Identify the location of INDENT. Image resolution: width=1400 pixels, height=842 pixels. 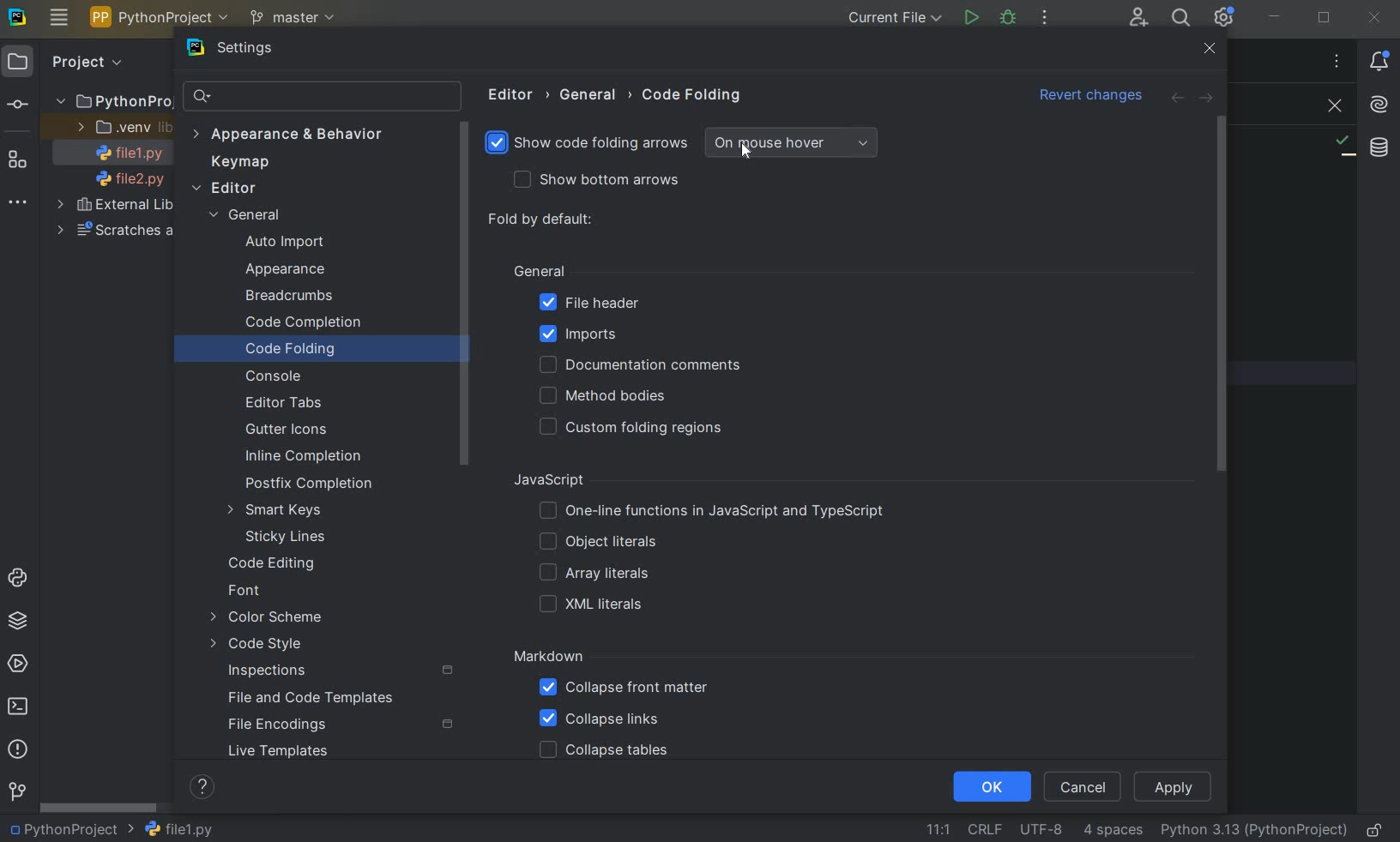
(1112, 831).